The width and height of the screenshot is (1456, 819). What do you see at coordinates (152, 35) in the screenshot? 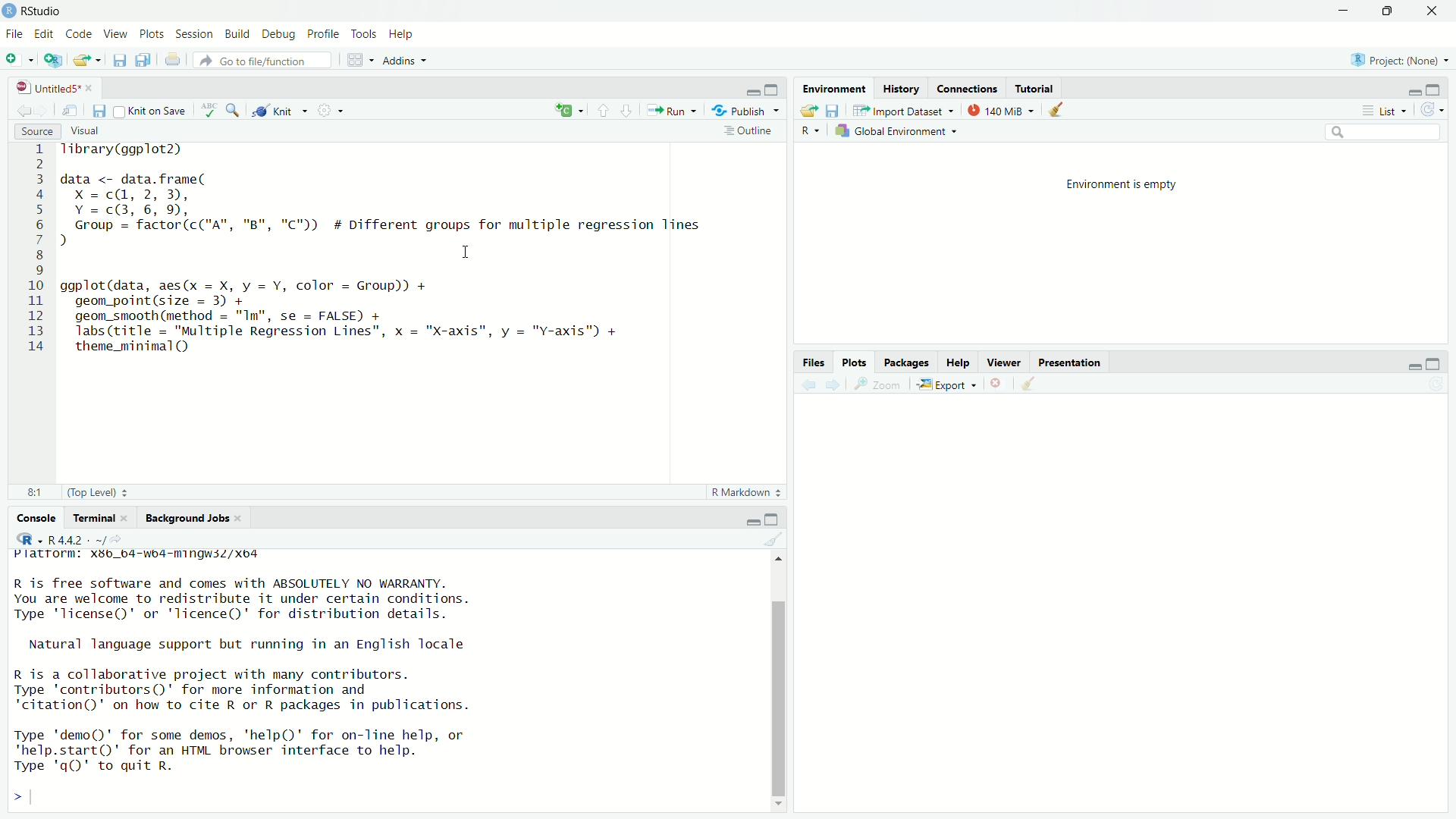
I see `Plots` at bounding box center [152, 35].